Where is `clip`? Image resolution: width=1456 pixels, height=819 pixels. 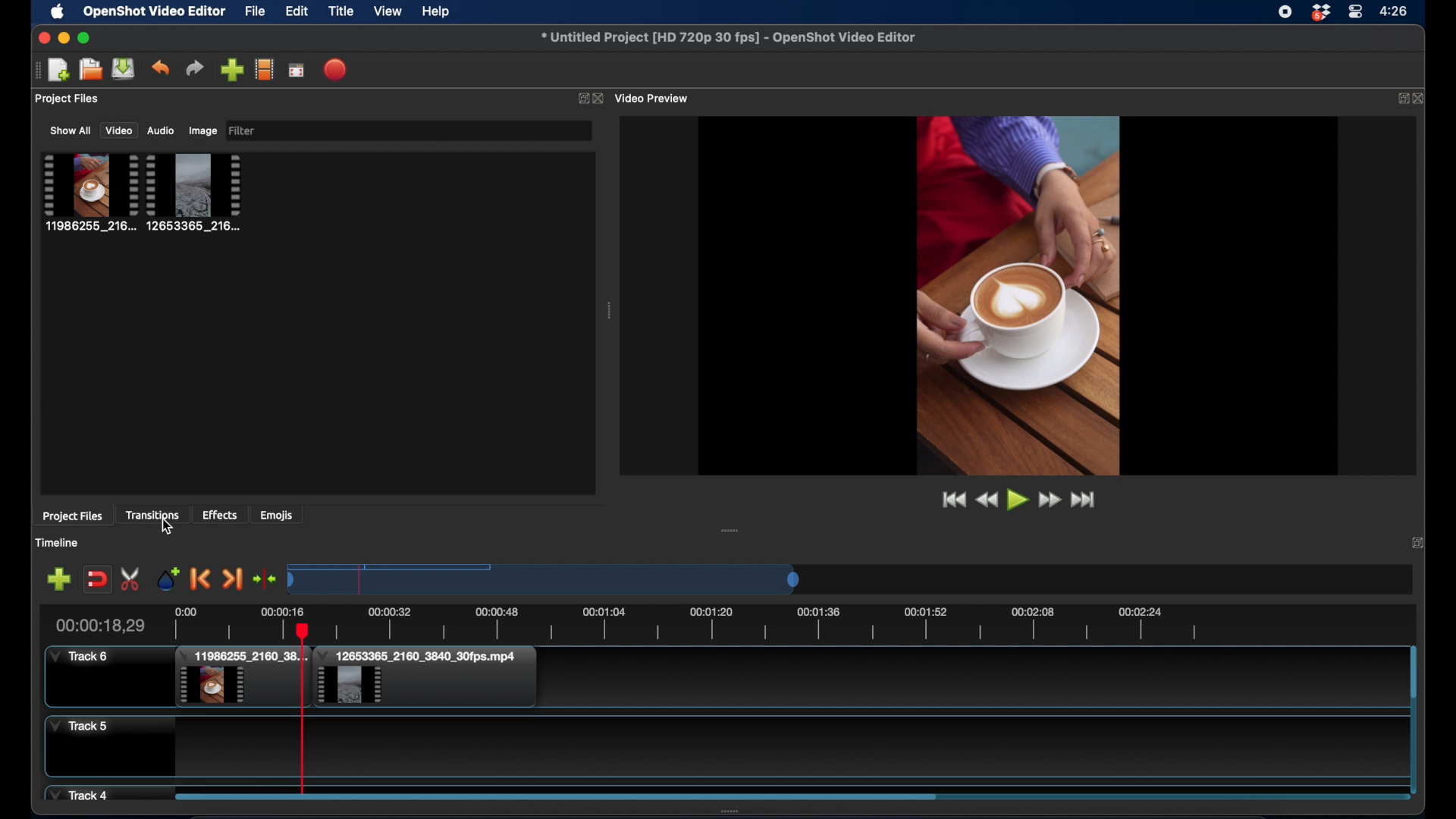 clip is located at coordinates (241, 678).